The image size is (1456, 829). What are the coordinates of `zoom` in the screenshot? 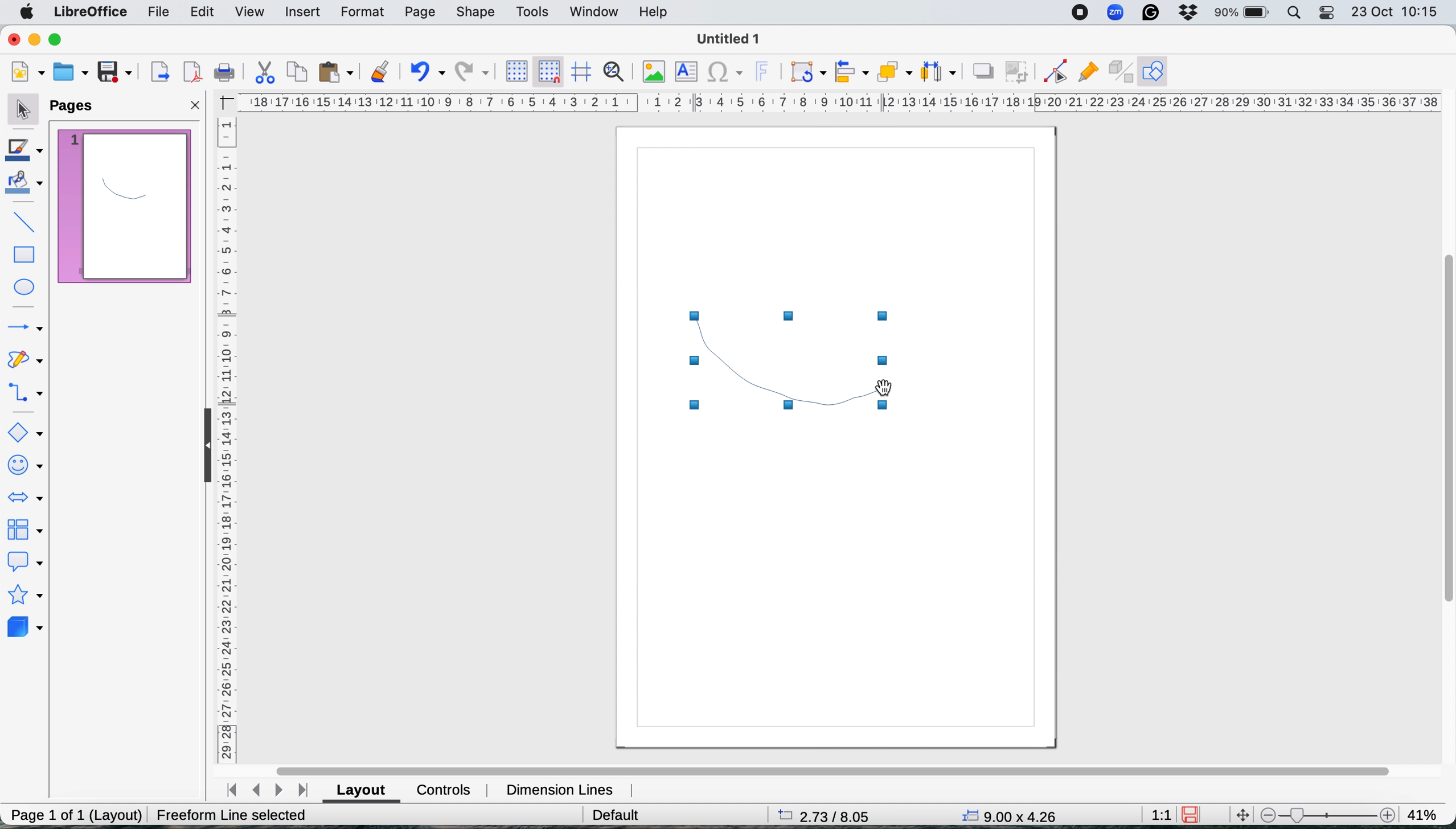 It's located at (1115, 14).